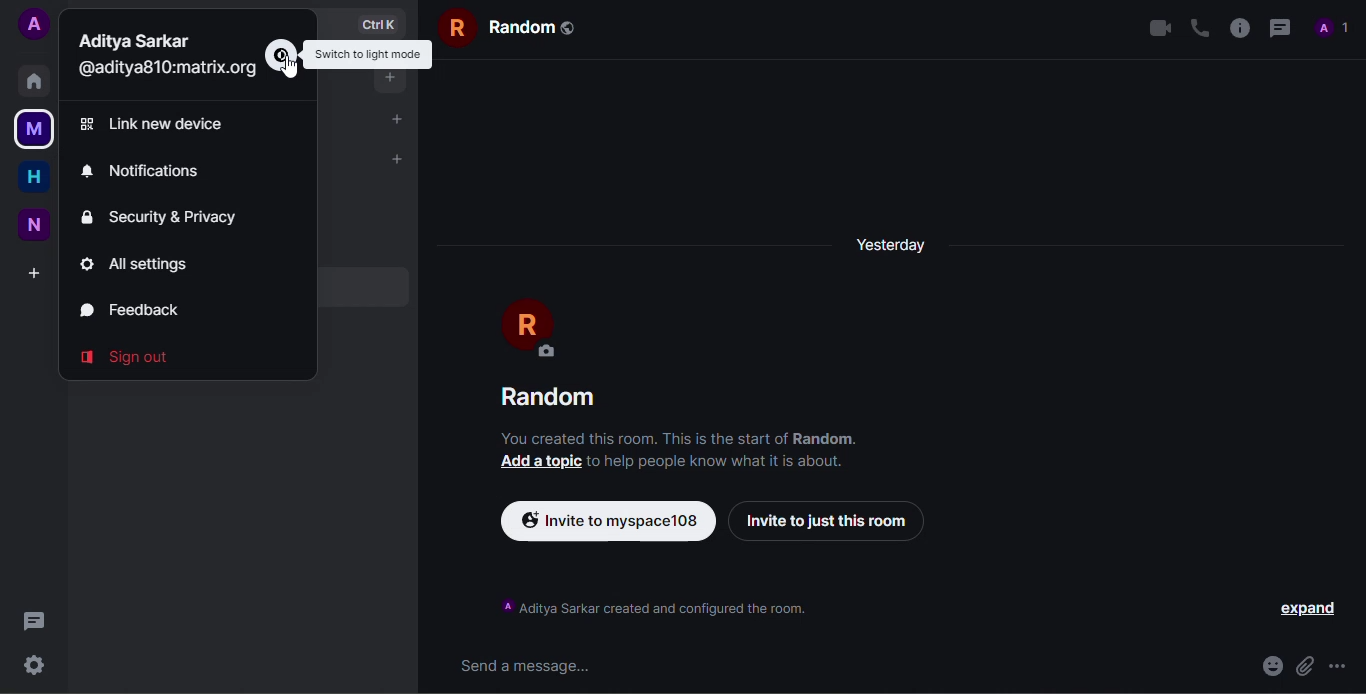 Image resolution: width=1366 pixels, height=694 pixels. I want to click on myspace, so click(34, 130).